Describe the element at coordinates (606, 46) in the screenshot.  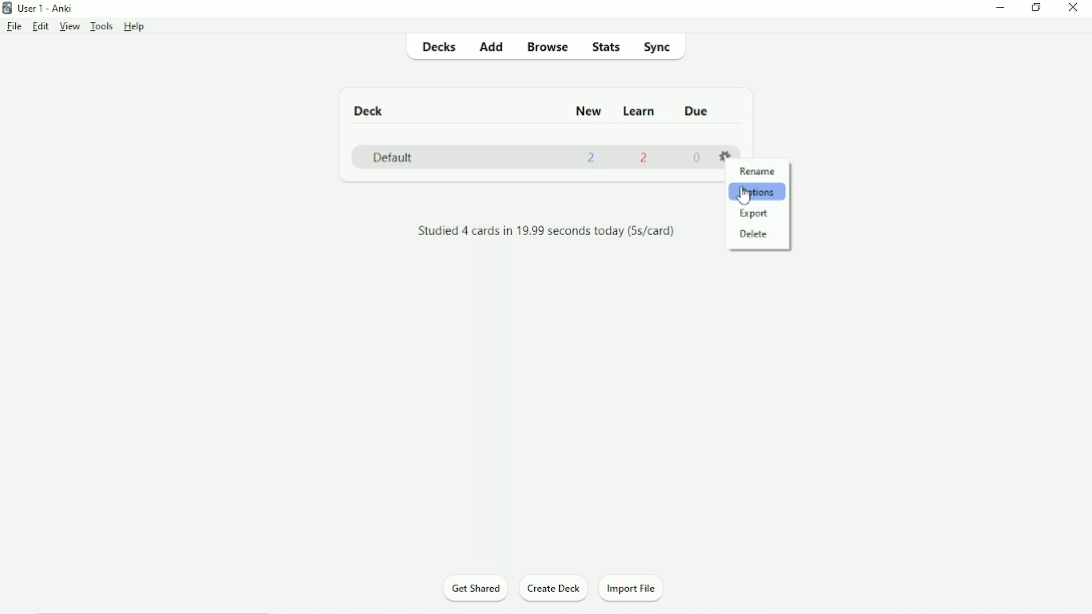
I see `Stats` at that location.